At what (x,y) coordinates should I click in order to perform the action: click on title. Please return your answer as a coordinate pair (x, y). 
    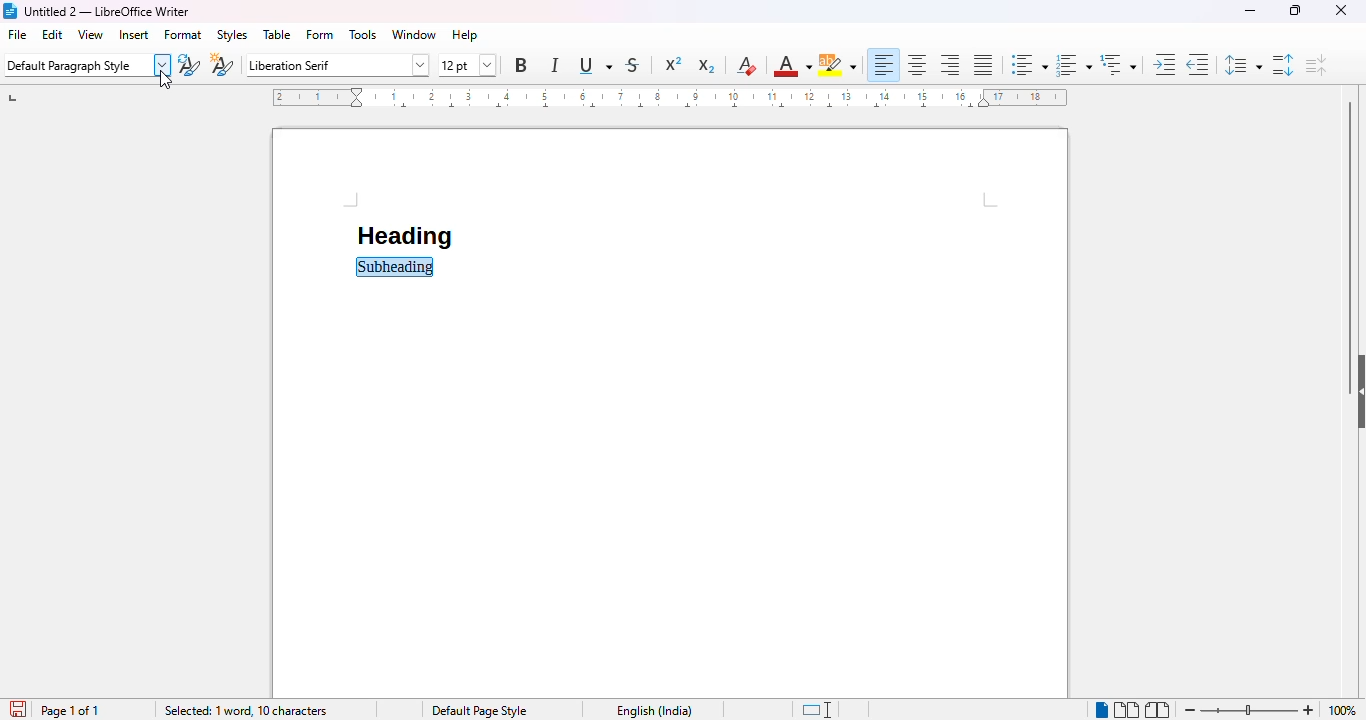
    Looking at the image, I should click on (107, 11).